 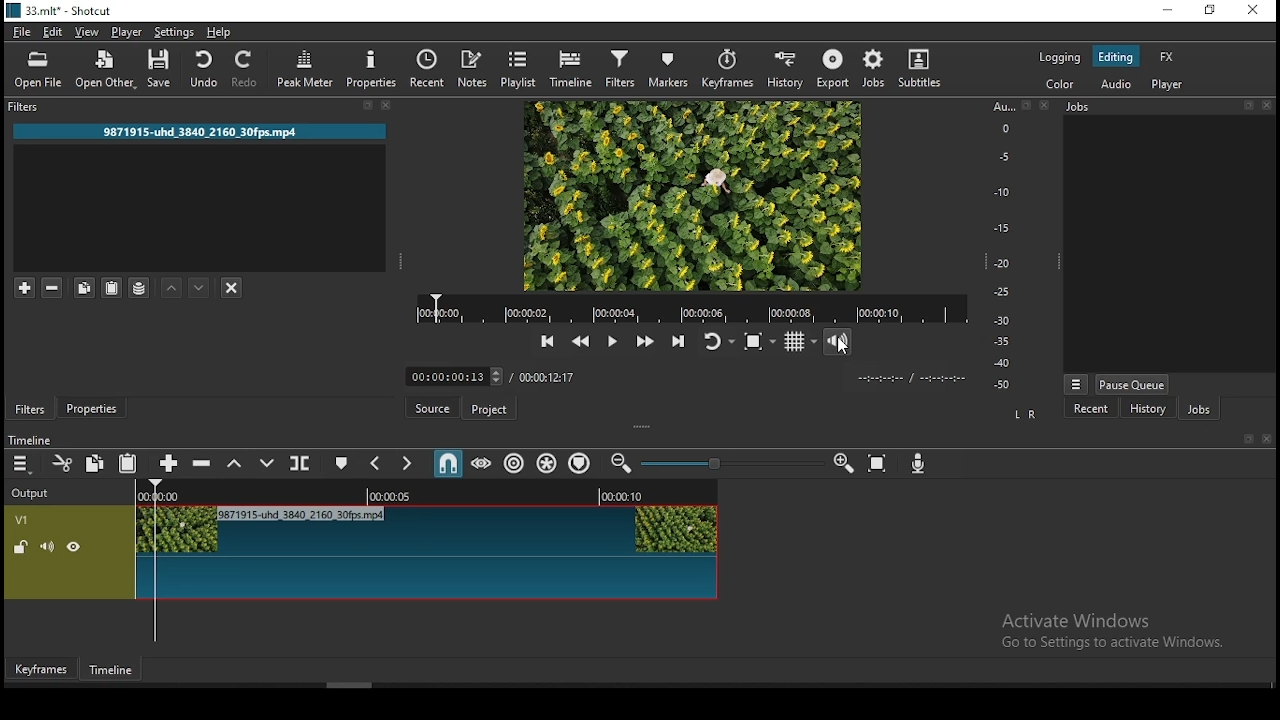 What do you see at coordinates (375, 464) in the screenshot?
I see `previous marker` at bounding box center [375, 464].